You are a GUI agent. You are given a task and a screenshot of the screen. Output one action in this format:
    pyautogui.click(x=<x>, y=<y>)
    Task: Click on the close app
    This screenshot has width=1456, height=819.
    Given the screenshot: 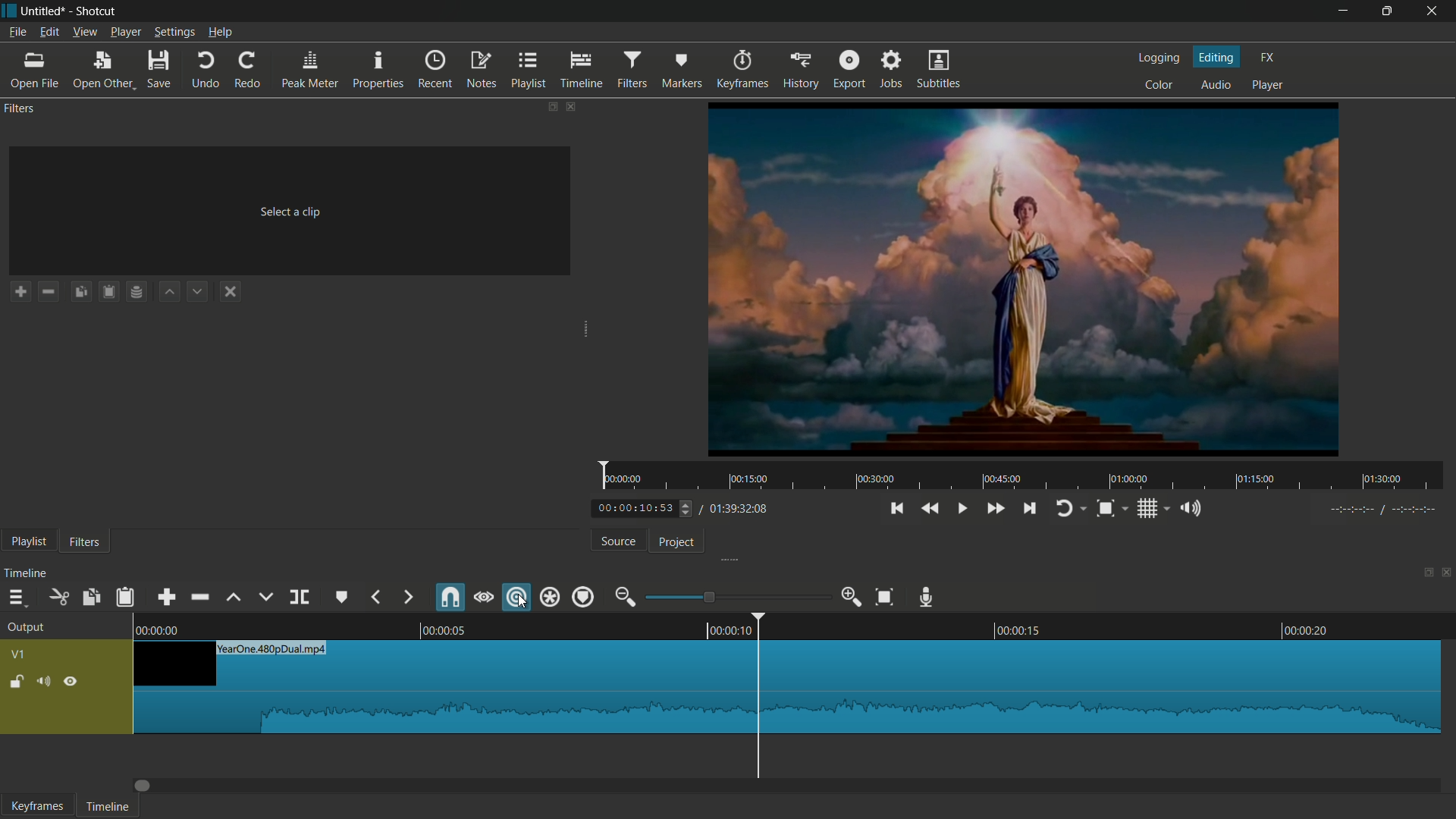 What is the action you would take?
    pyautogui.click(x=1432, y=11)
    